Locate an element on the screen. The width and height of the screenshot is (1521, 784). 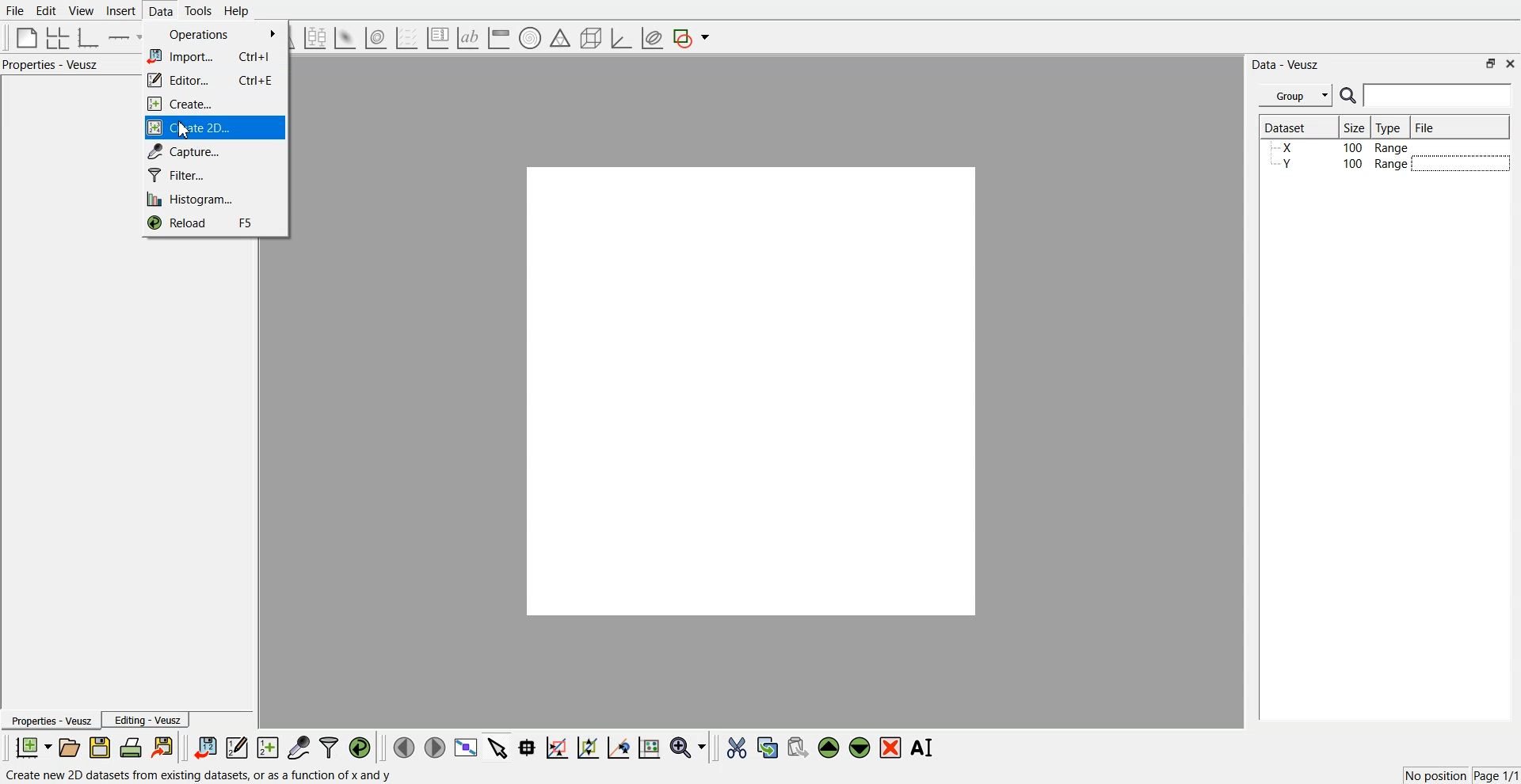
Import dataset from veusz is located at coordinates (205, 747).